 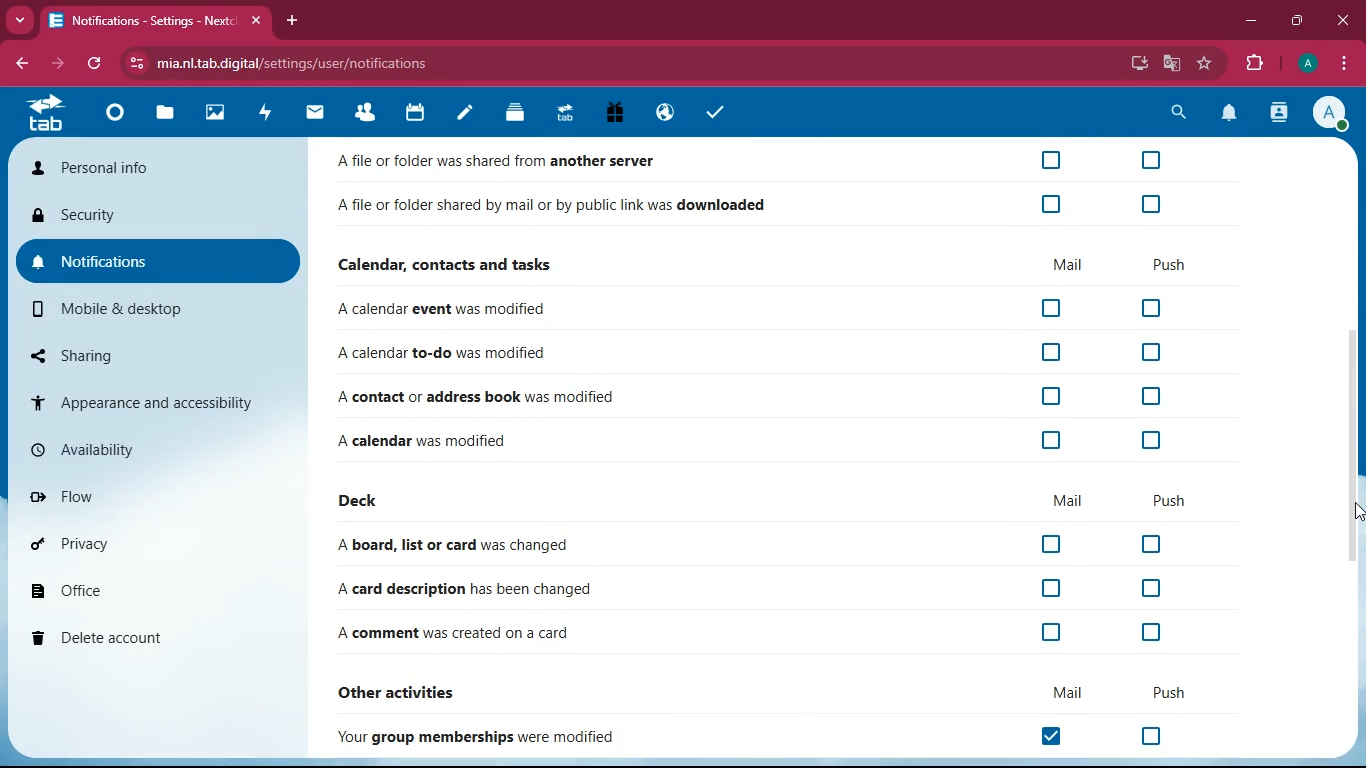 What do you see at coordinates (1149, 442) in the screenshot?
I see `off` at bounding box center [1149, 442].